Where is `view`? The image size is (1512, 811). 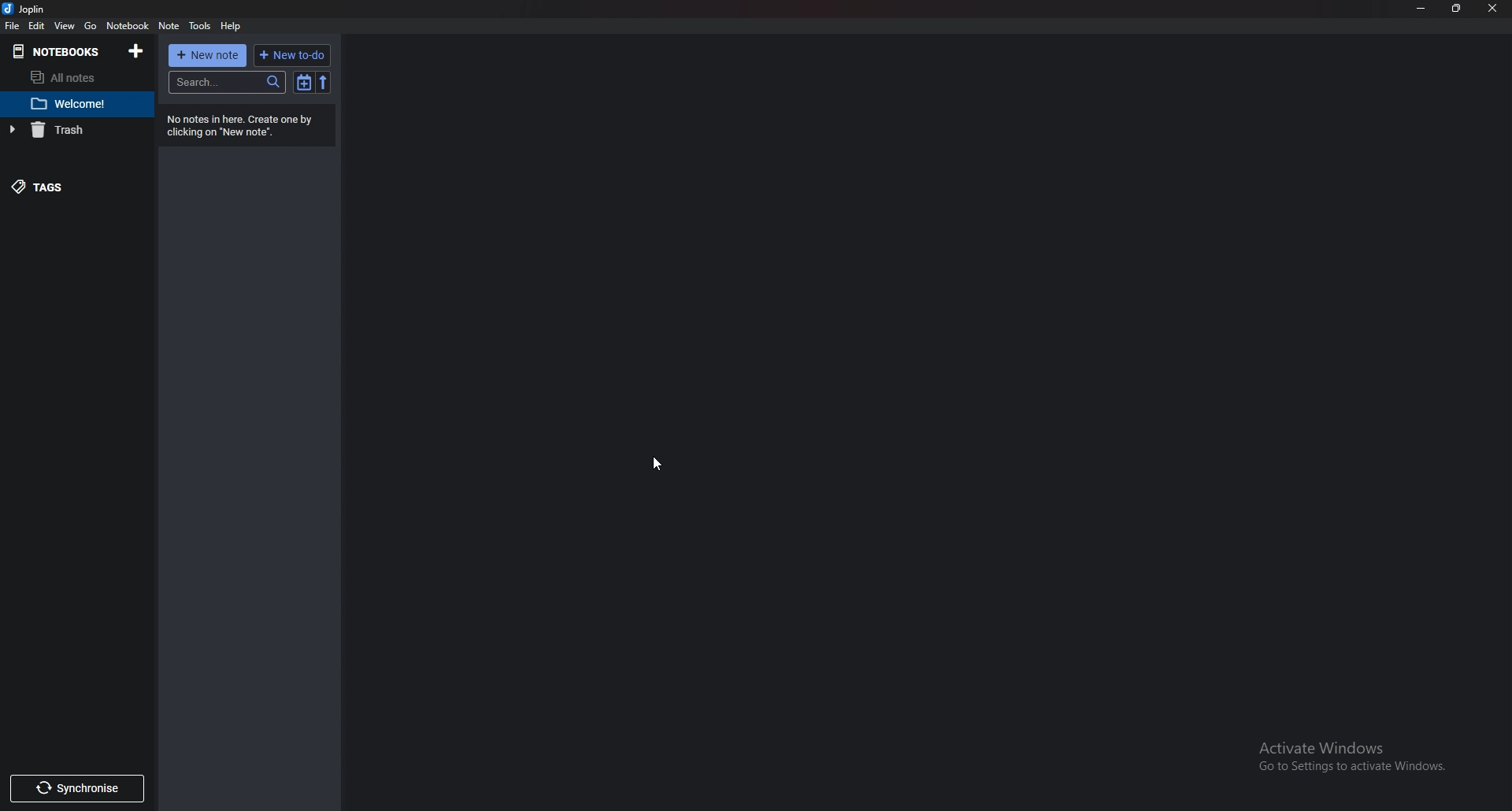
view is located at coordinates (67, 25).